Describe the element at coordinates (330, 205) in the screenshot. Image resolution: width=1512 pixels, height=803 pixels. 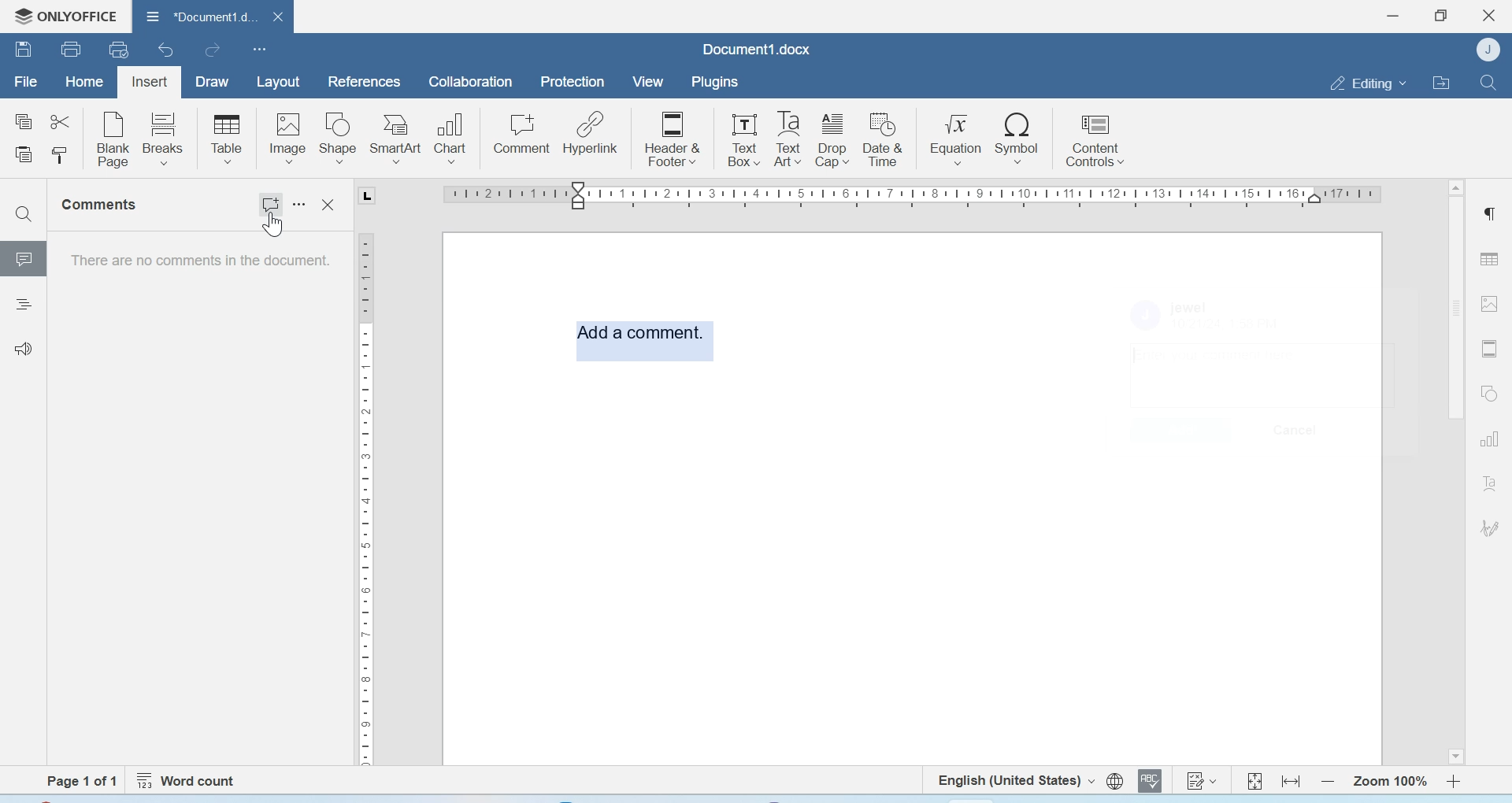
I see `Close` at that location.